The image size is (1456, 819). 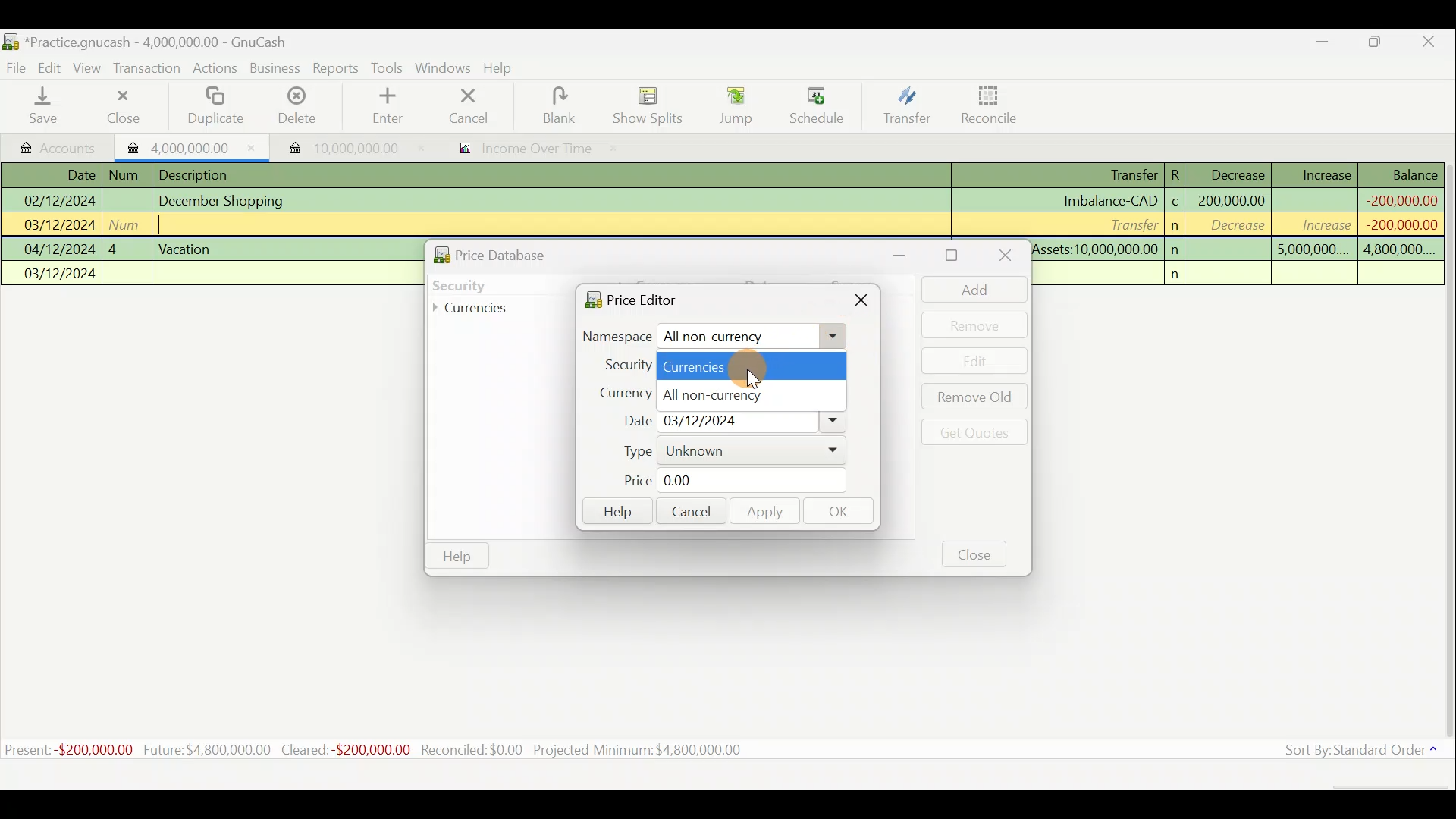 I want to click on 4, so click(x=126, y=247).